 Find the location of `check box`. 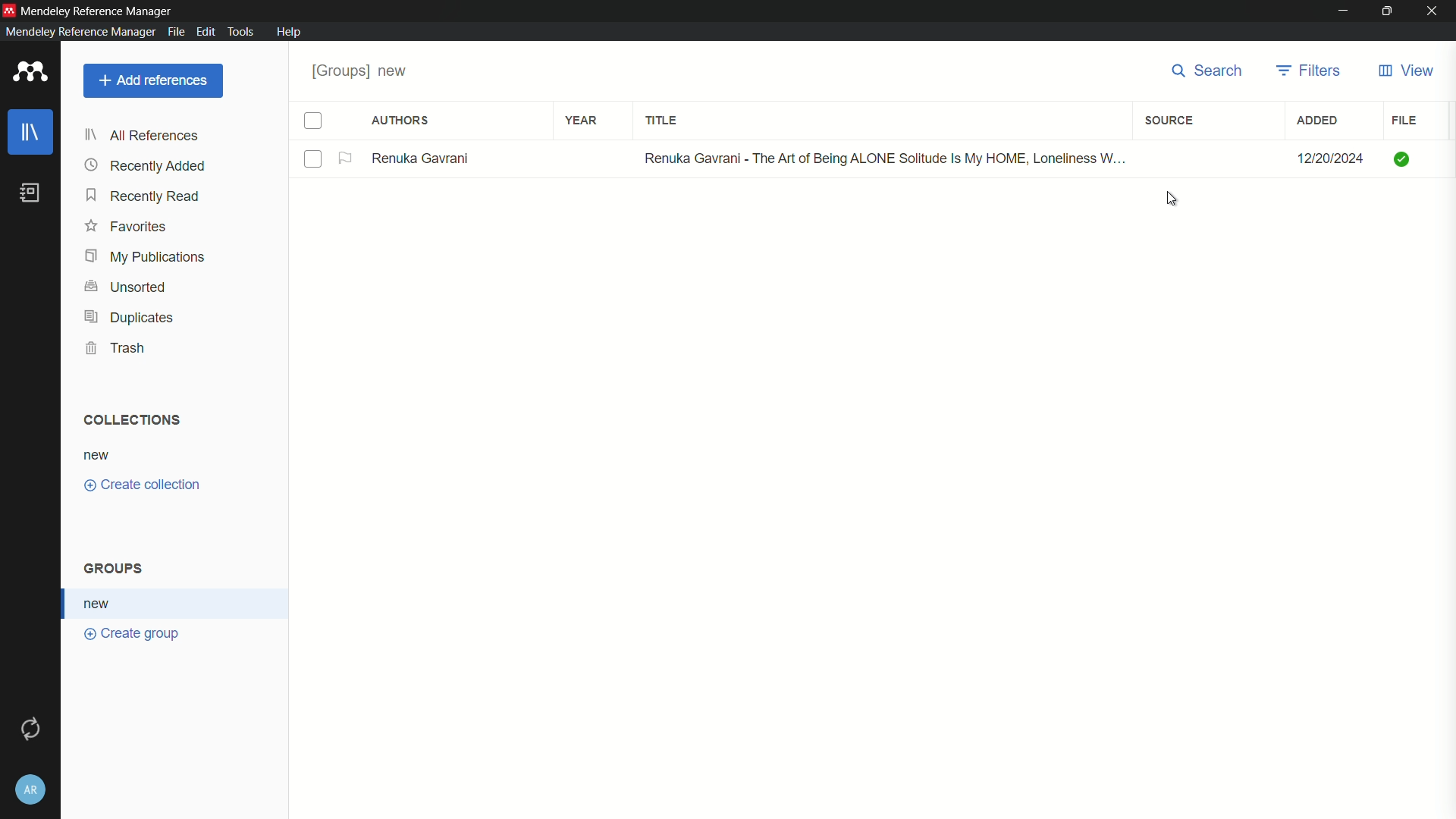

check box is located at coordinates (313, 121).